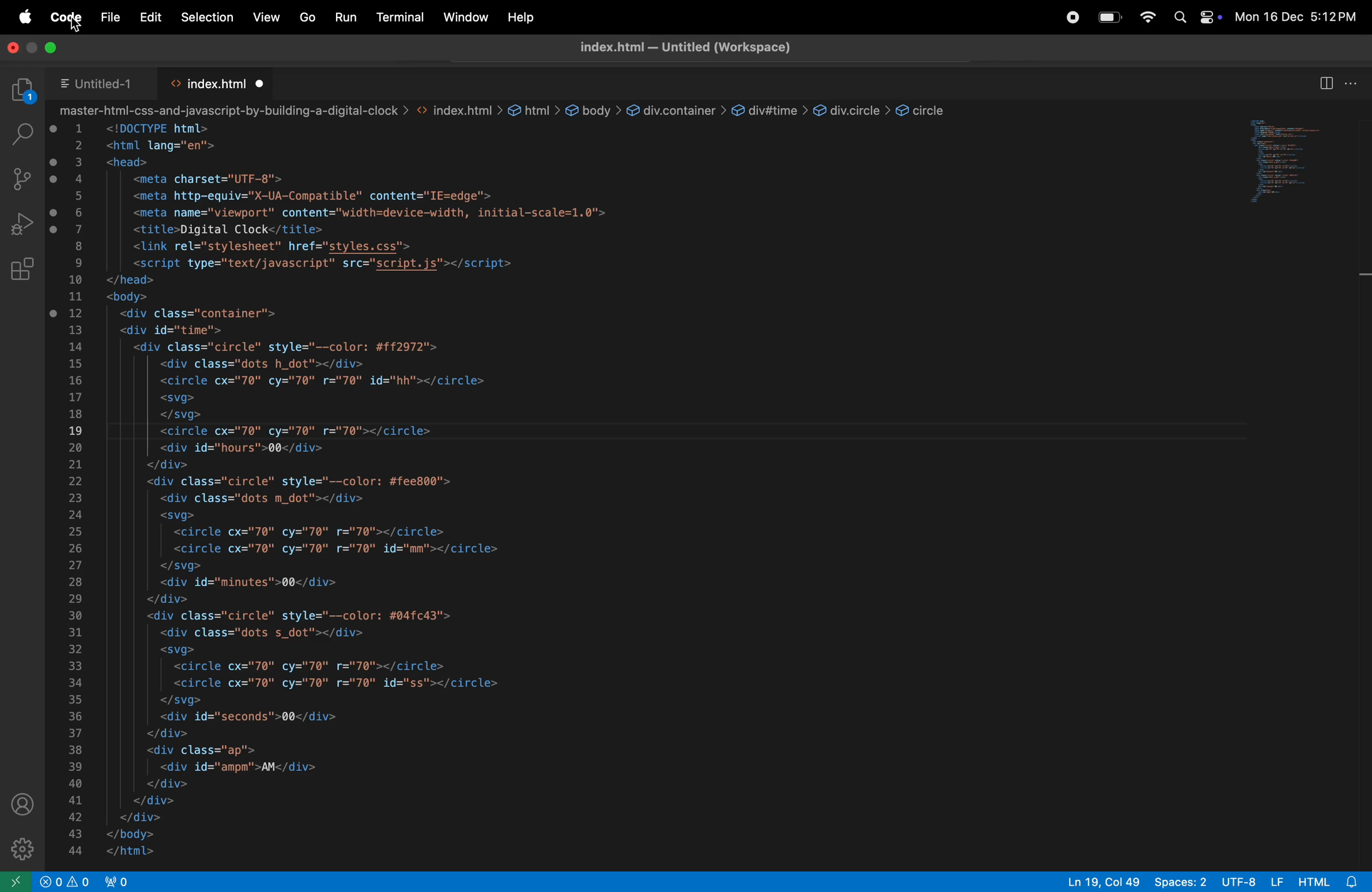 The image size is (1372, 892). I want to click on <div id="minutes">00</div>, so click(257, 582).